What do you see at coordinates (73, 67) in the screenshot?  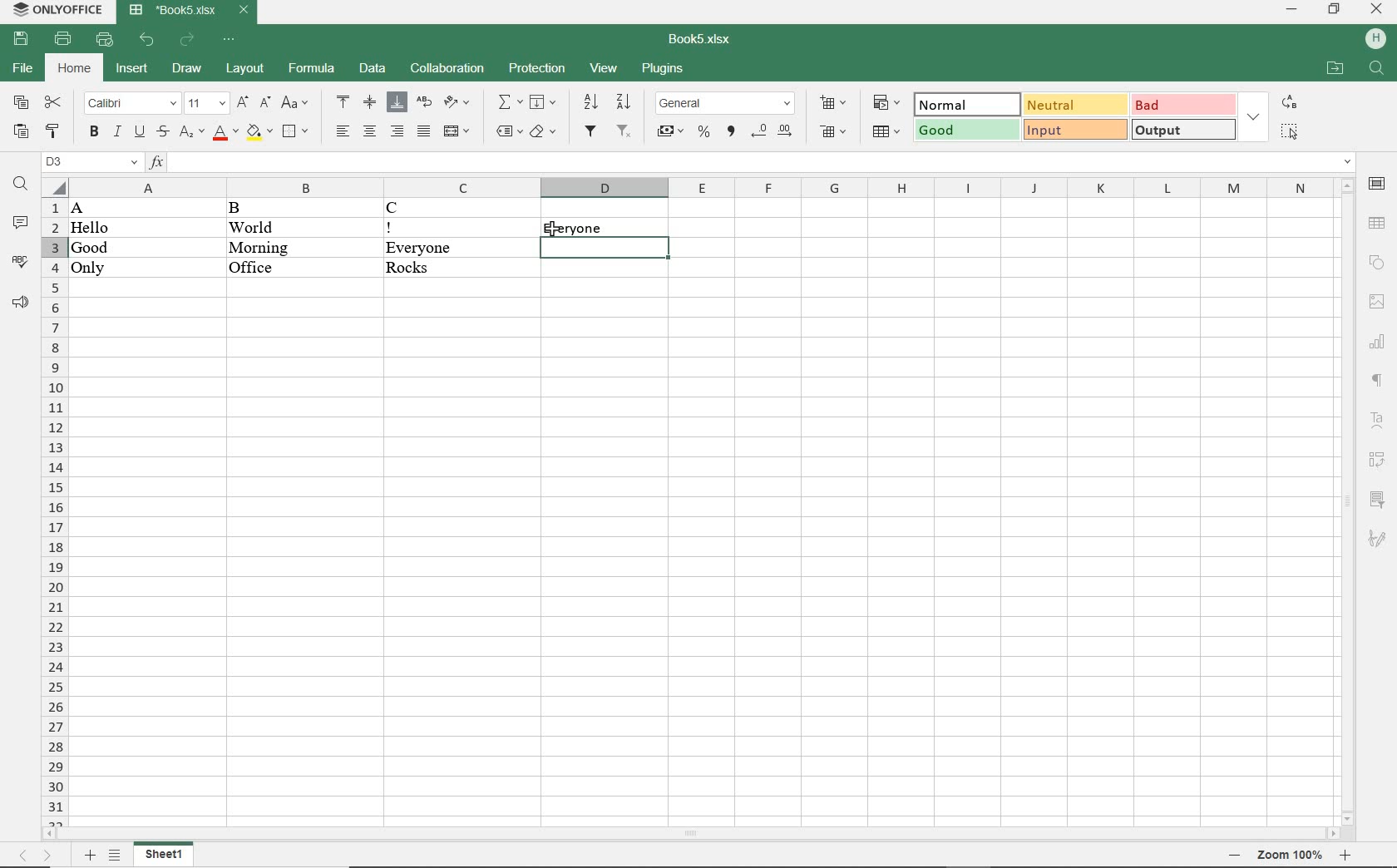 I see `home` at bounding box center [73, 67].